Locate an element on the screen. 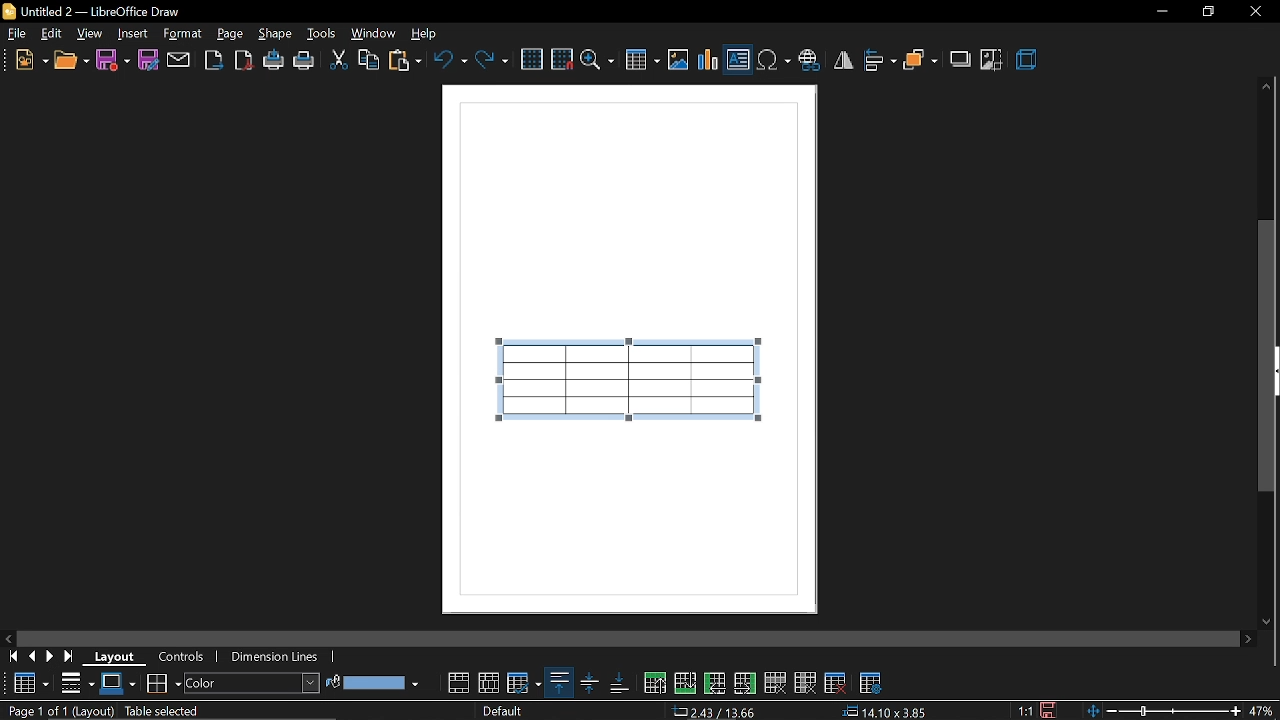 This screenshot has width=1280, height=720. align center is located at coordinates (589, 683).